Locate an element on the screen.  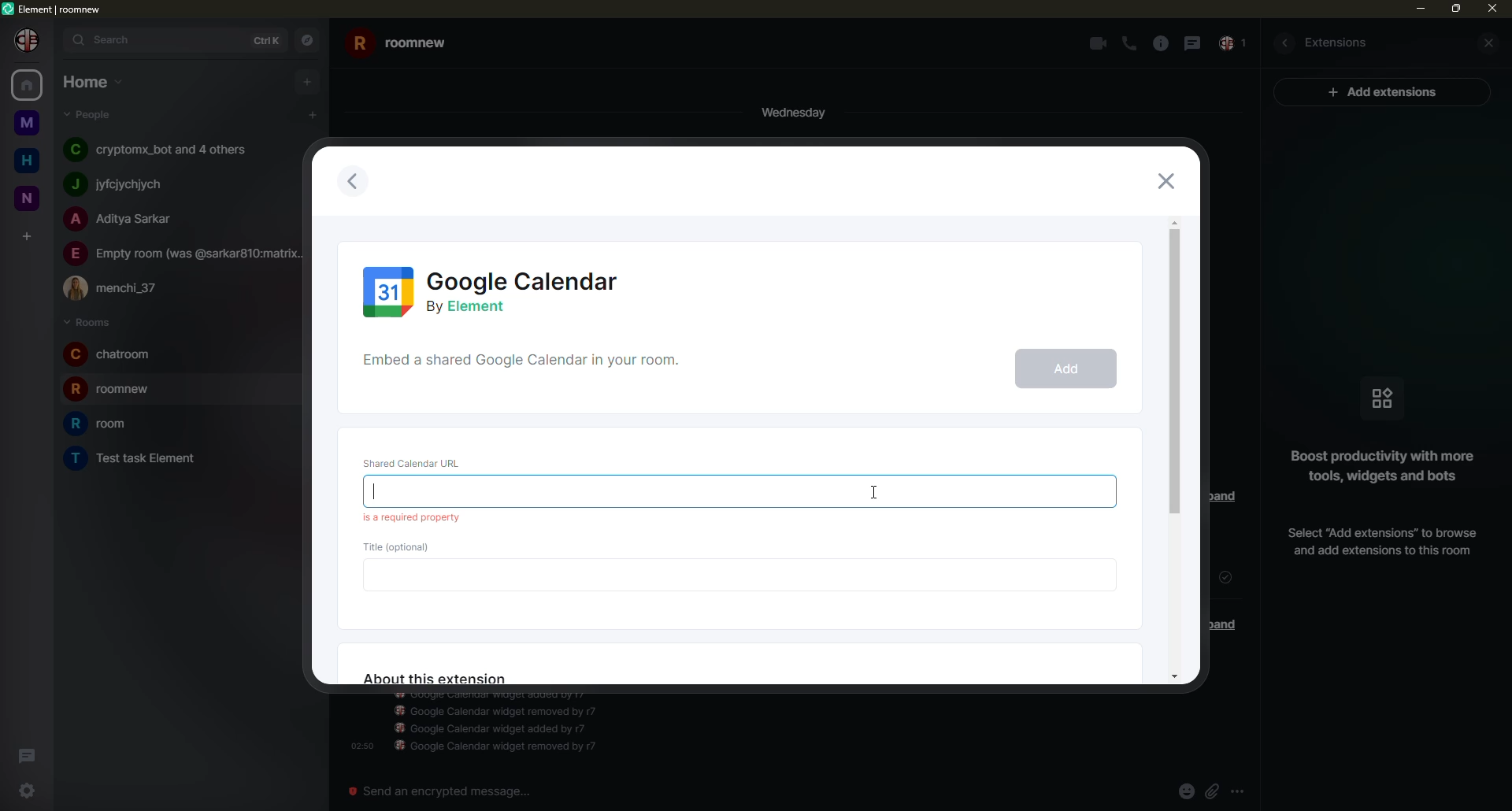
close is located at coordinates (1493, 11).